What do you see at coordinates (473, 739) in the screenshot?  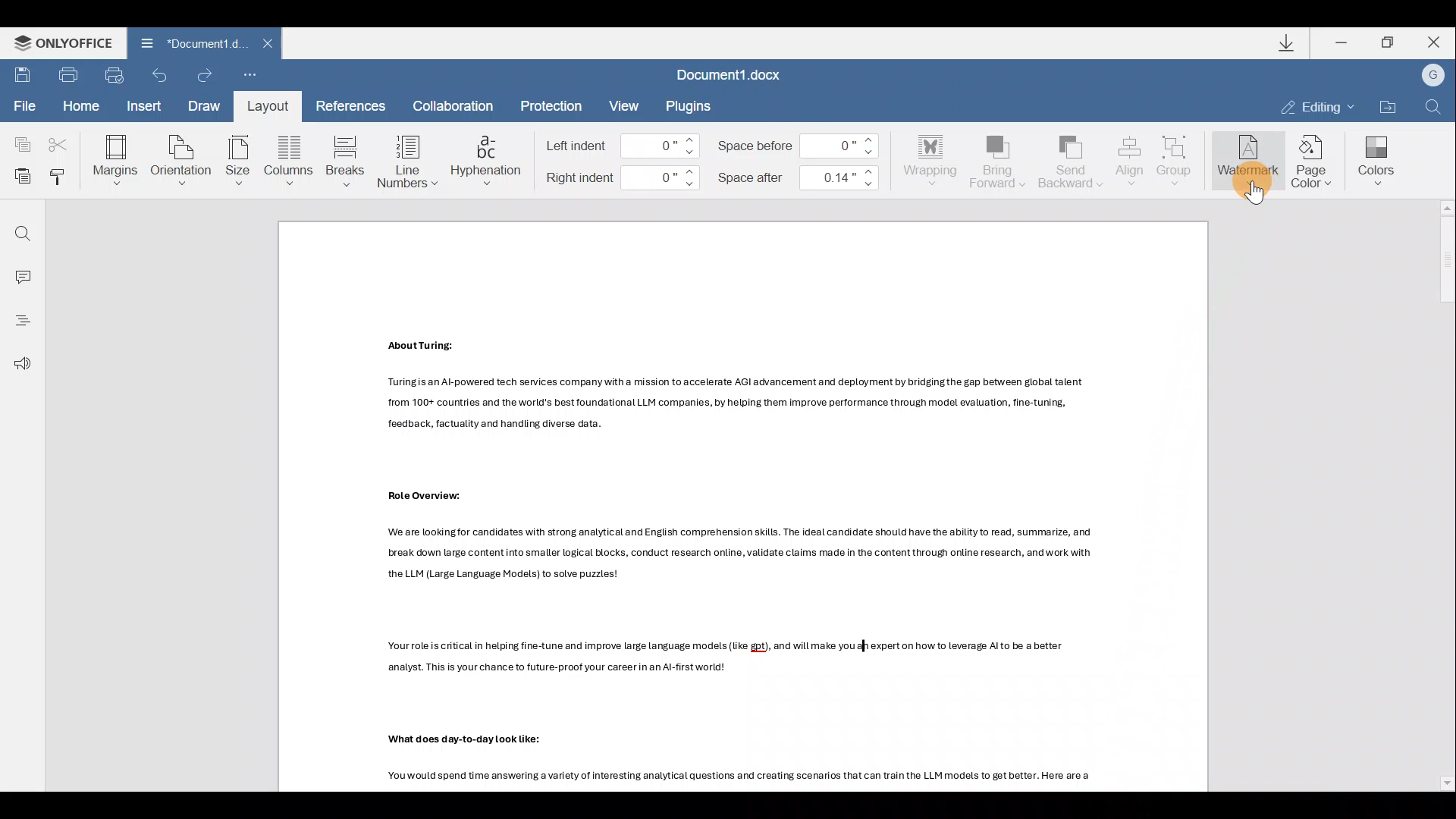 I see `` at bounding box center [473, 739].